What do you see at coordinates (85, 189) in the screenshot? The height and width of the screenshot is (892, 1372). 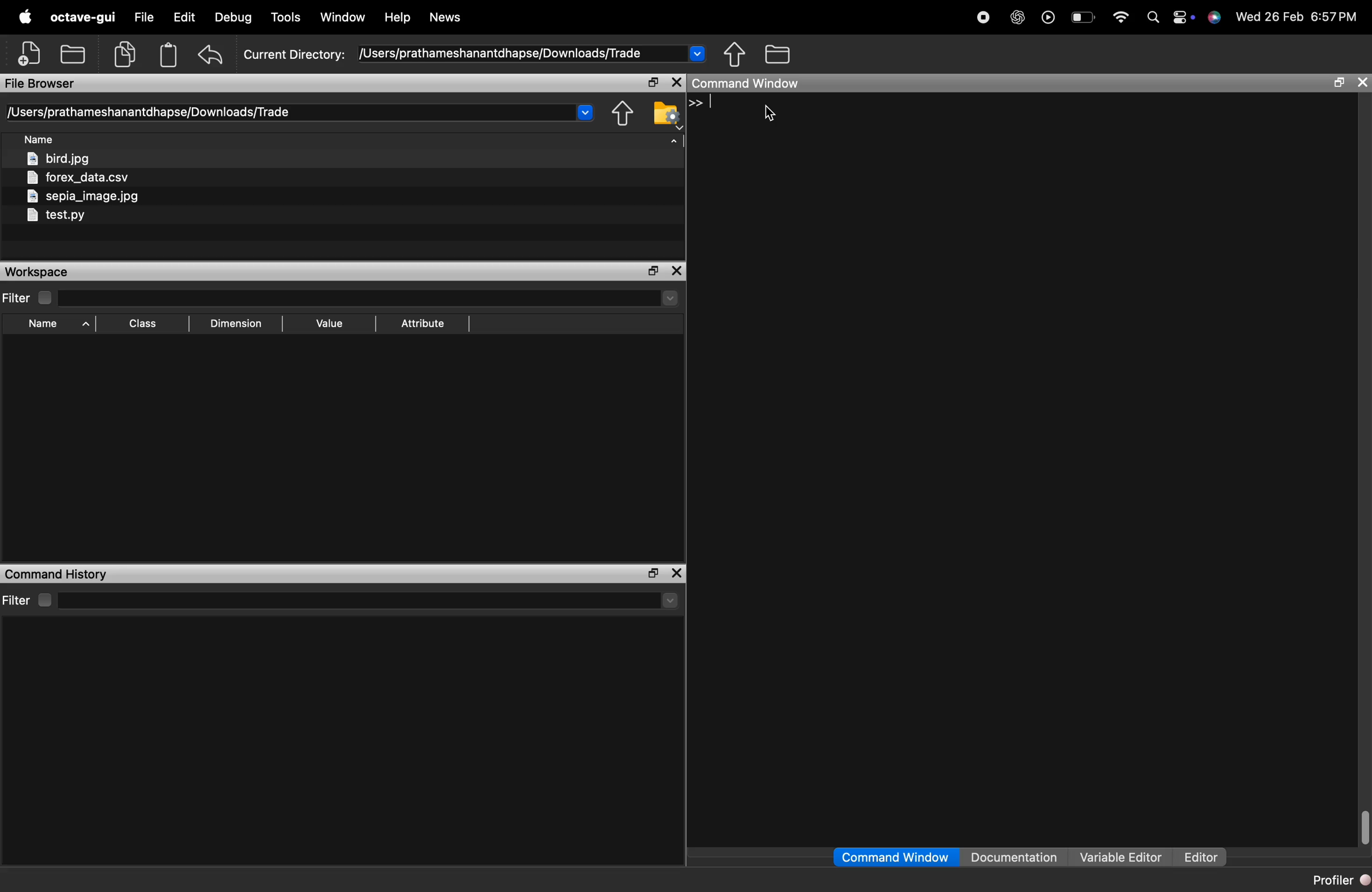 I see `files` at bounding box center [85, 189].